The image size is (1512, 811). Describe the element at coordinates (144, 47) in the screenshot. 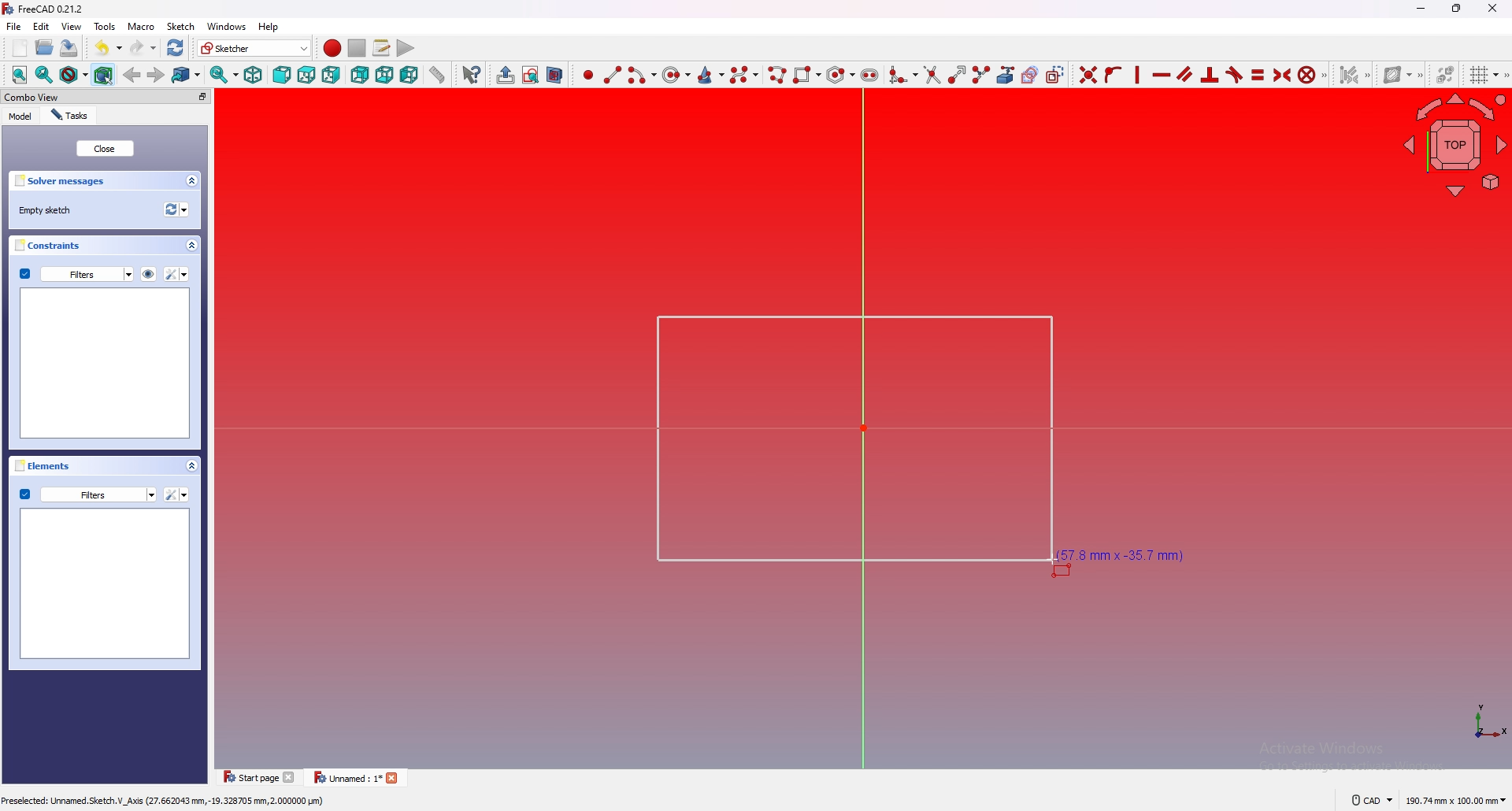

I see `redo` at that location.